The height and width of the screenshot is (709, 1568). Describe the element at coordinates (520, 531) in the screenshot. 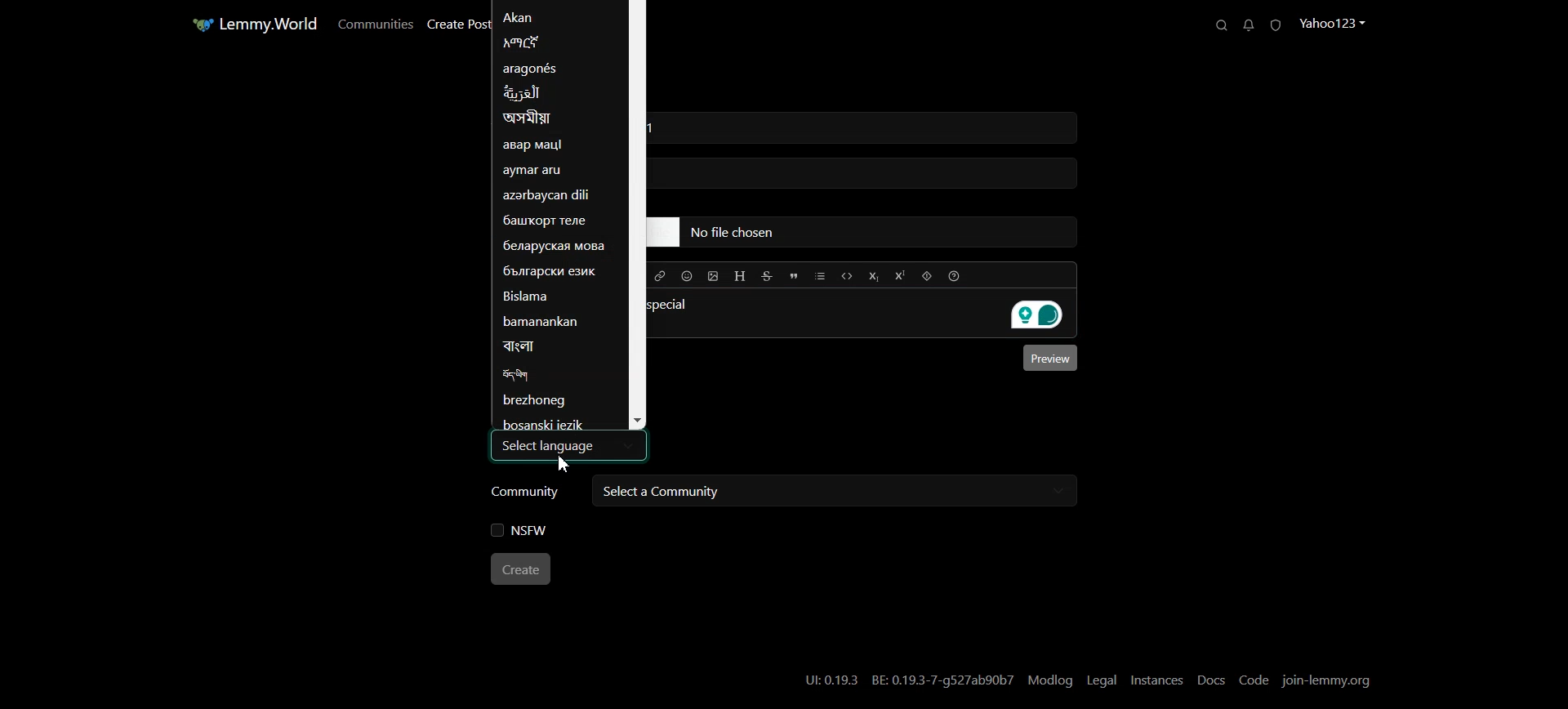

I see `NSFW` at that location.